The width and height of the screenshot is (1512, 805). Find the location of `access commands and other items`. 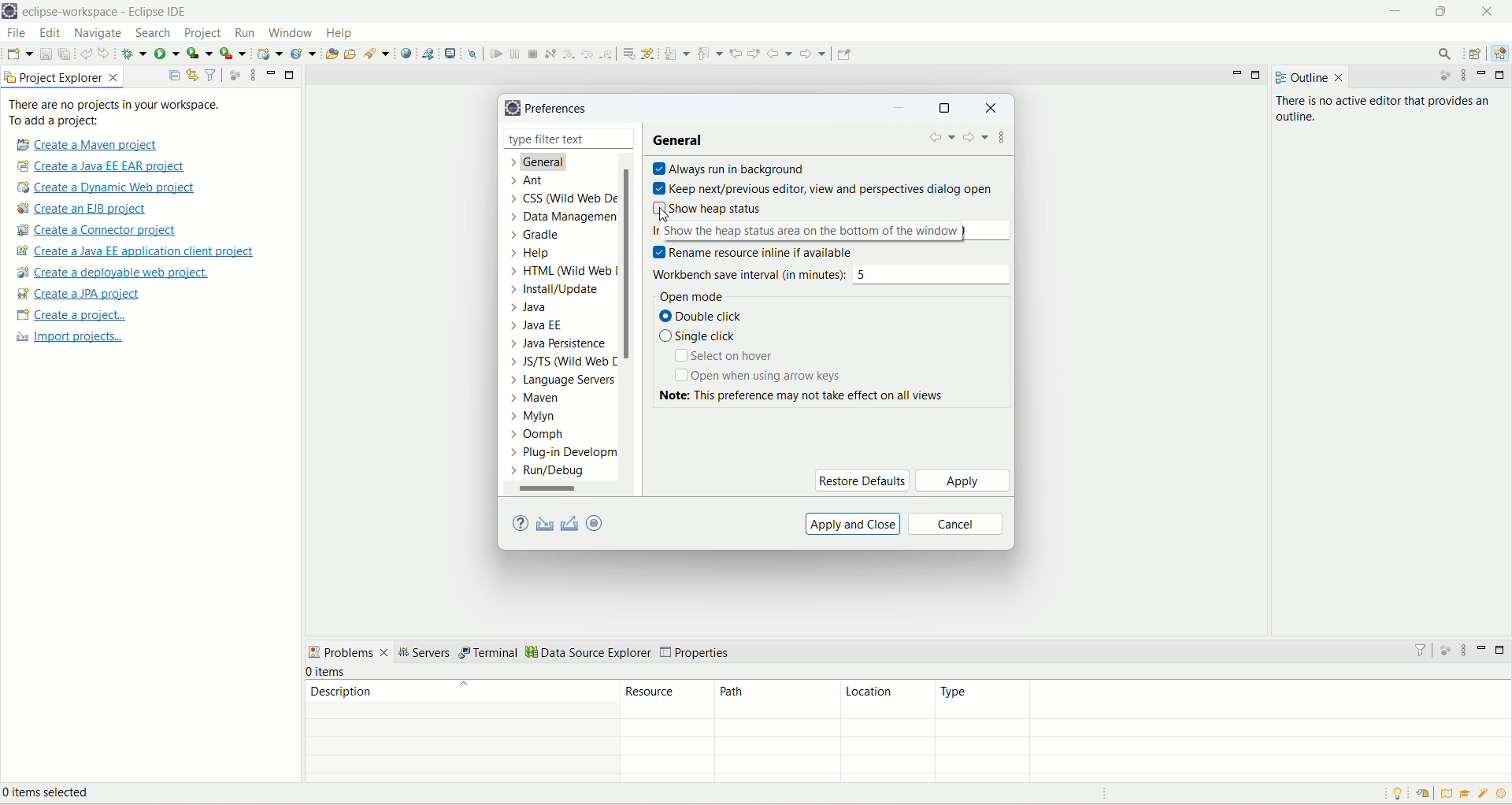

access commands and other items is located at coordinates (1443, 54).